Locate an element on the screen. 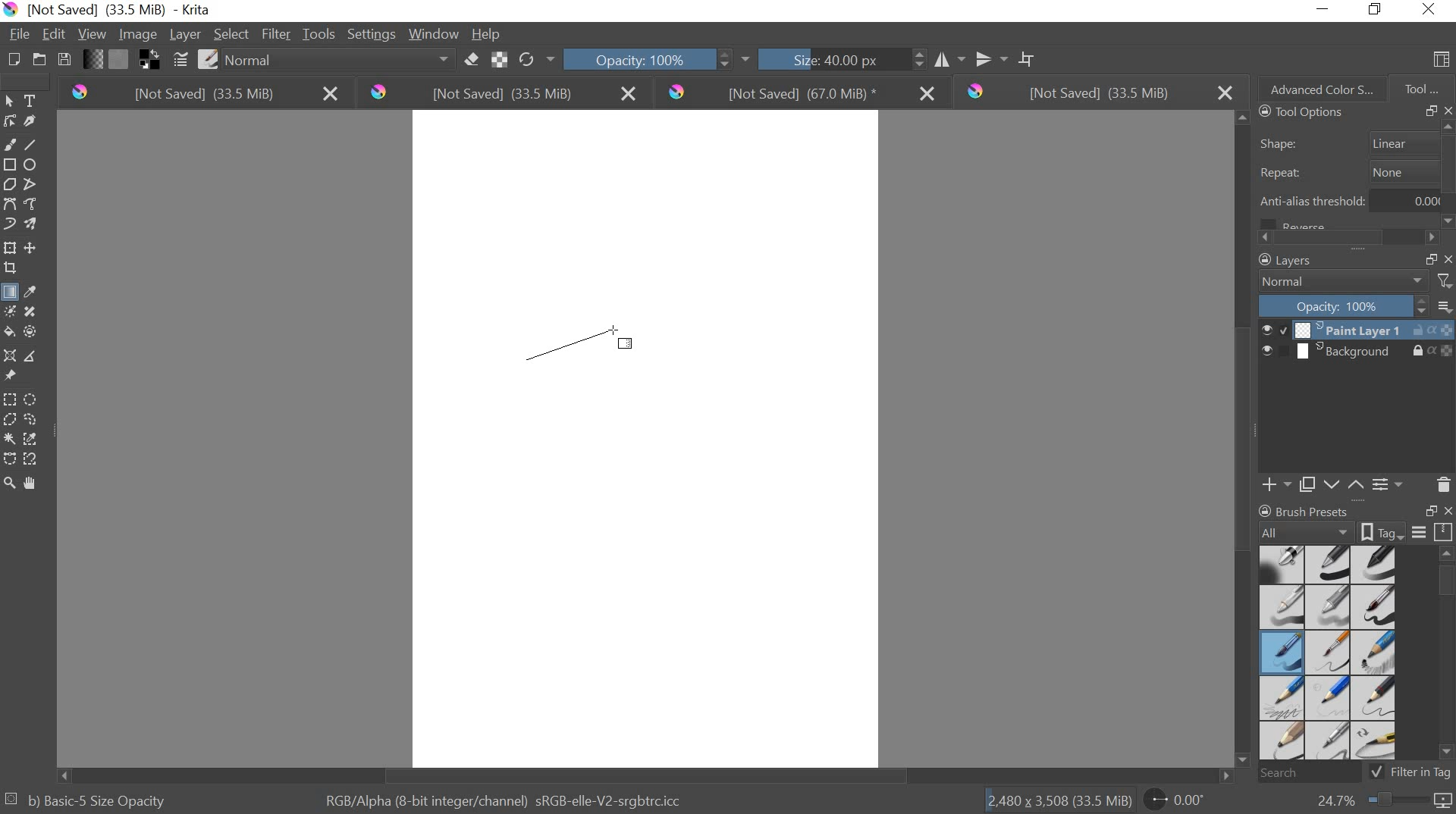  CREATE NEW DOCUMENT is located at coordinates (10, 60).